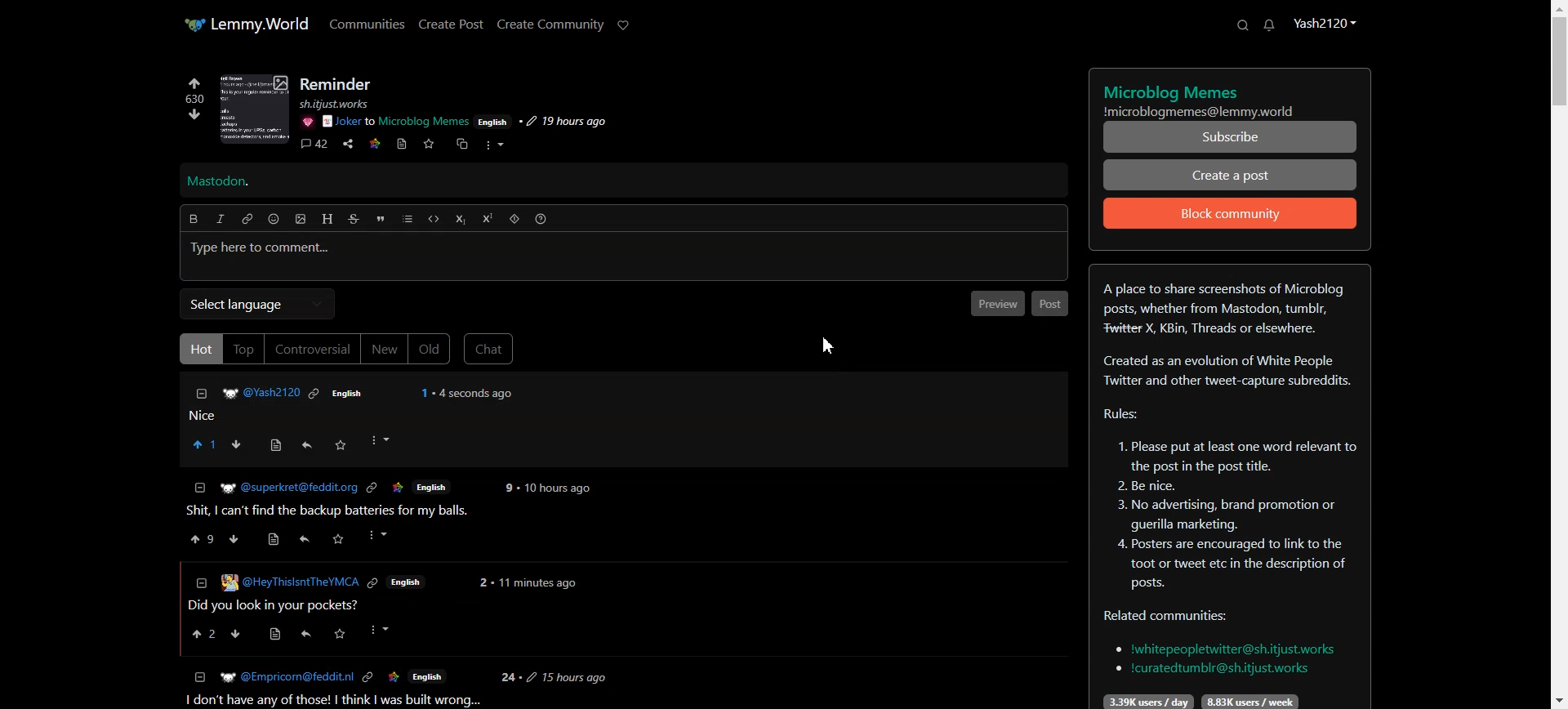 This screenshot has width=1568, height=709. Describe the element at coordinates (255, 109) in the screenshot. I see `Profile picture` at that location.